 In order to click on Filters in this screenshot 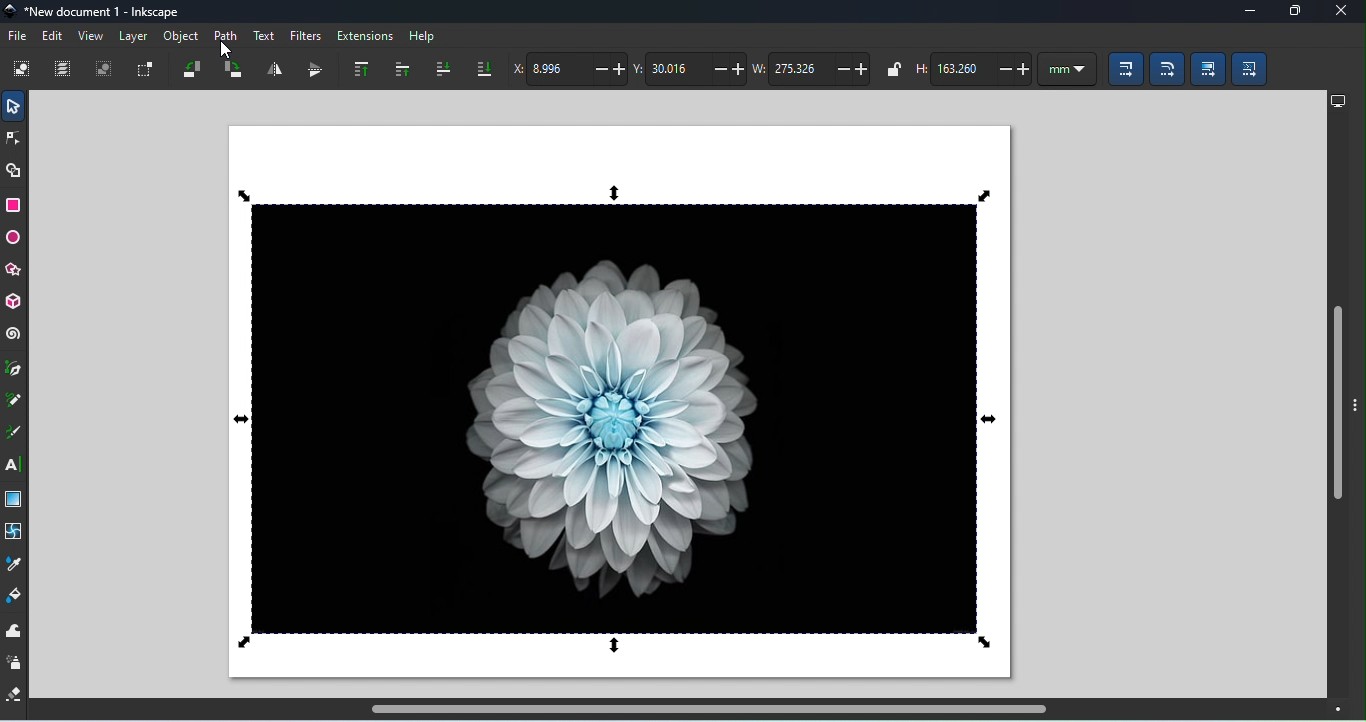, I will do `click(306, 34)`.